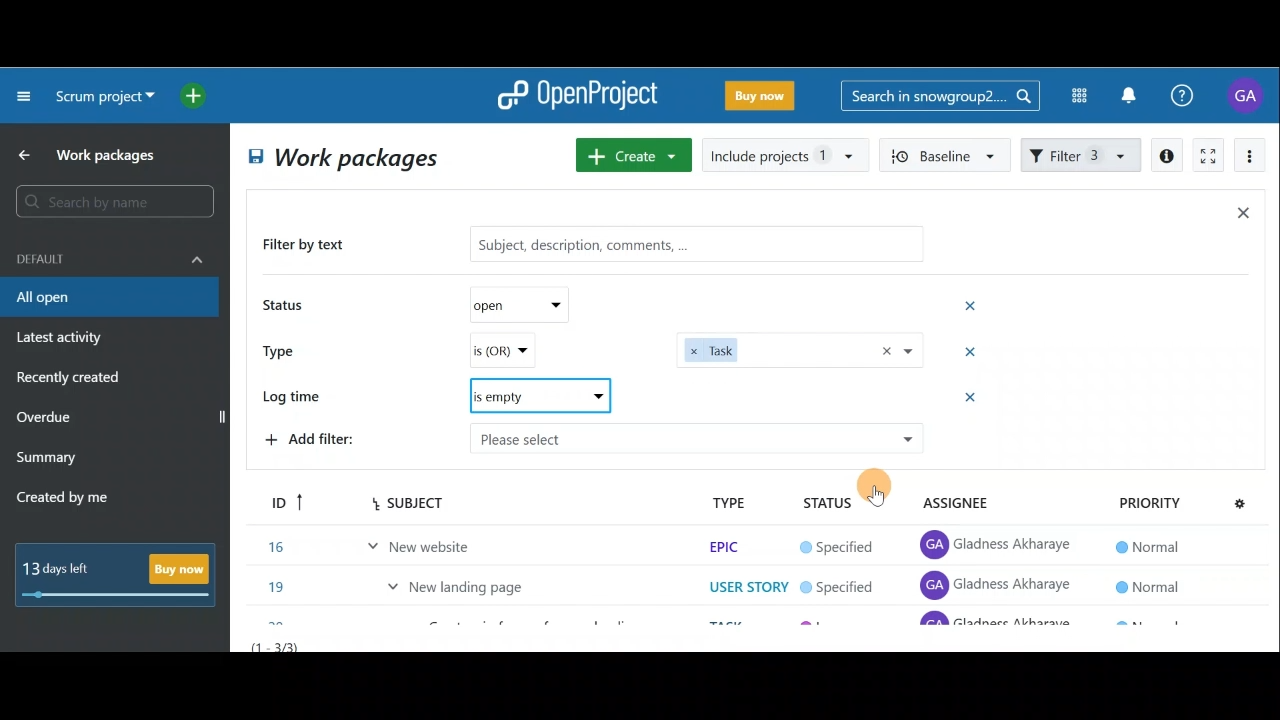 The height and width of the screenshot is (720, 1280). I want to click on , so click(695, 438).